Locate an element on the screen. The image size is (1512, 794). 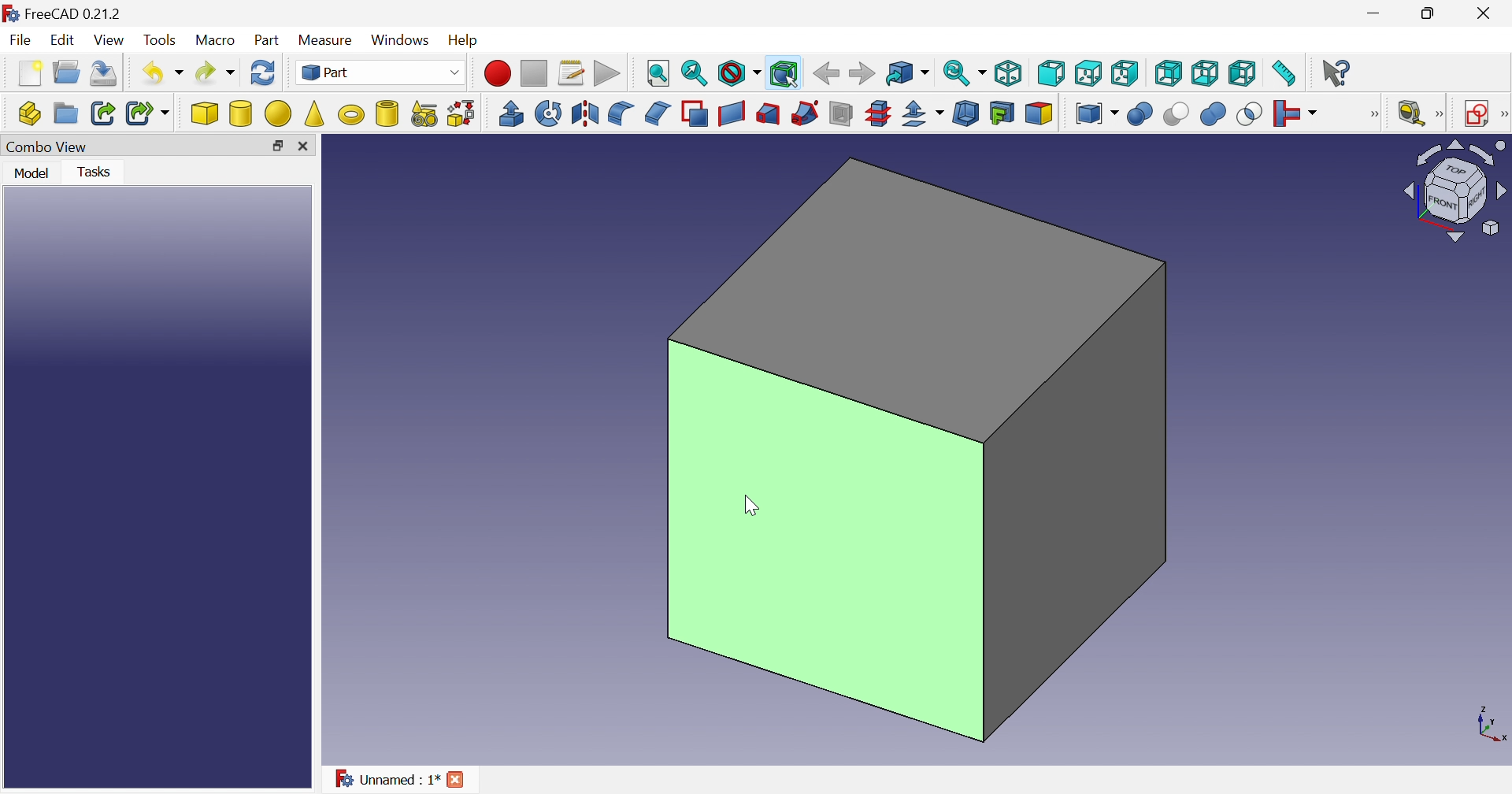
Unnamed : 1* is located at coordinates (387, 780).